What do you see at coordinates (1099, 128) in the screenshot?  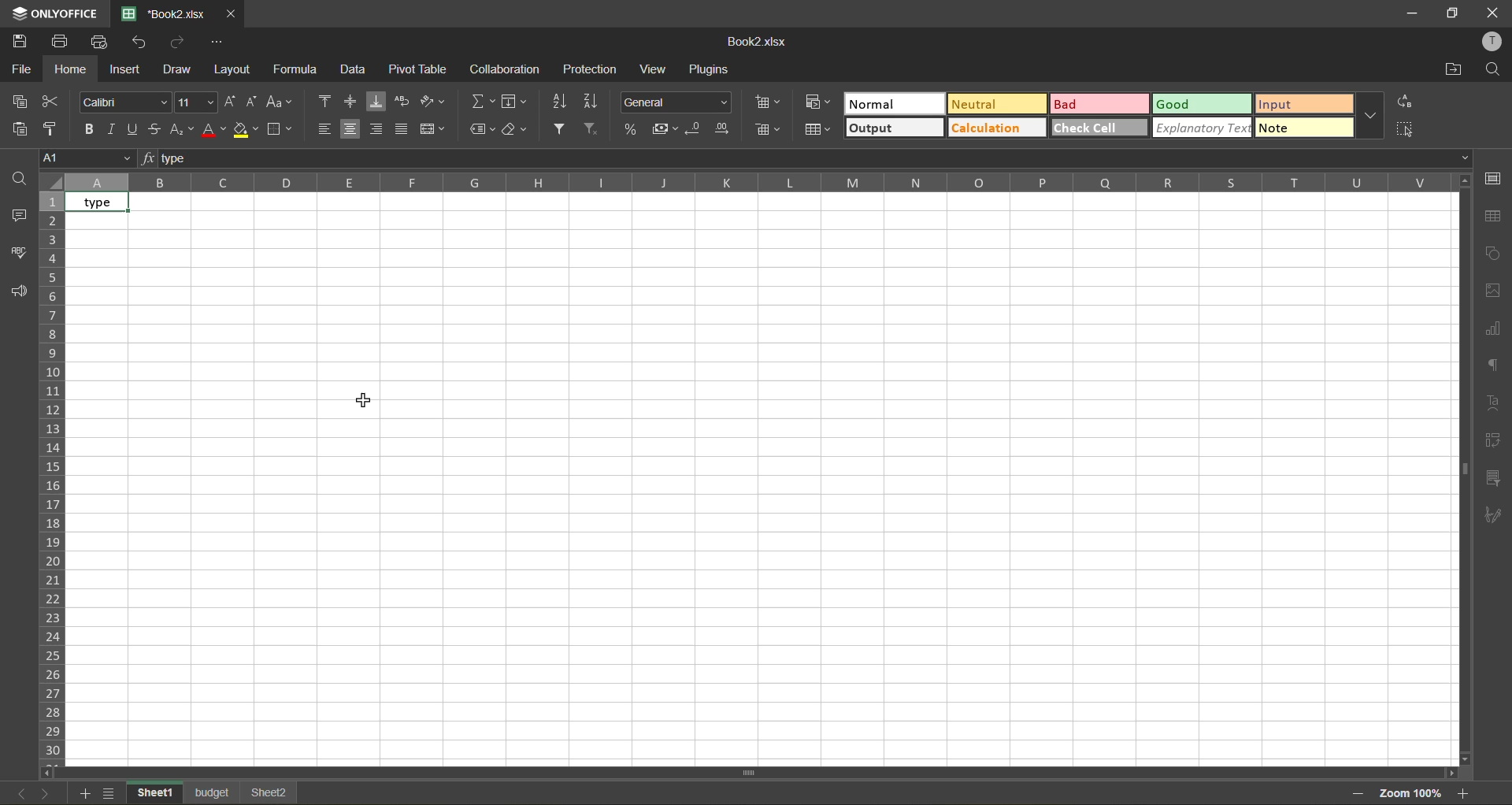 I see `check cell` at bounding box center [1099, 128].